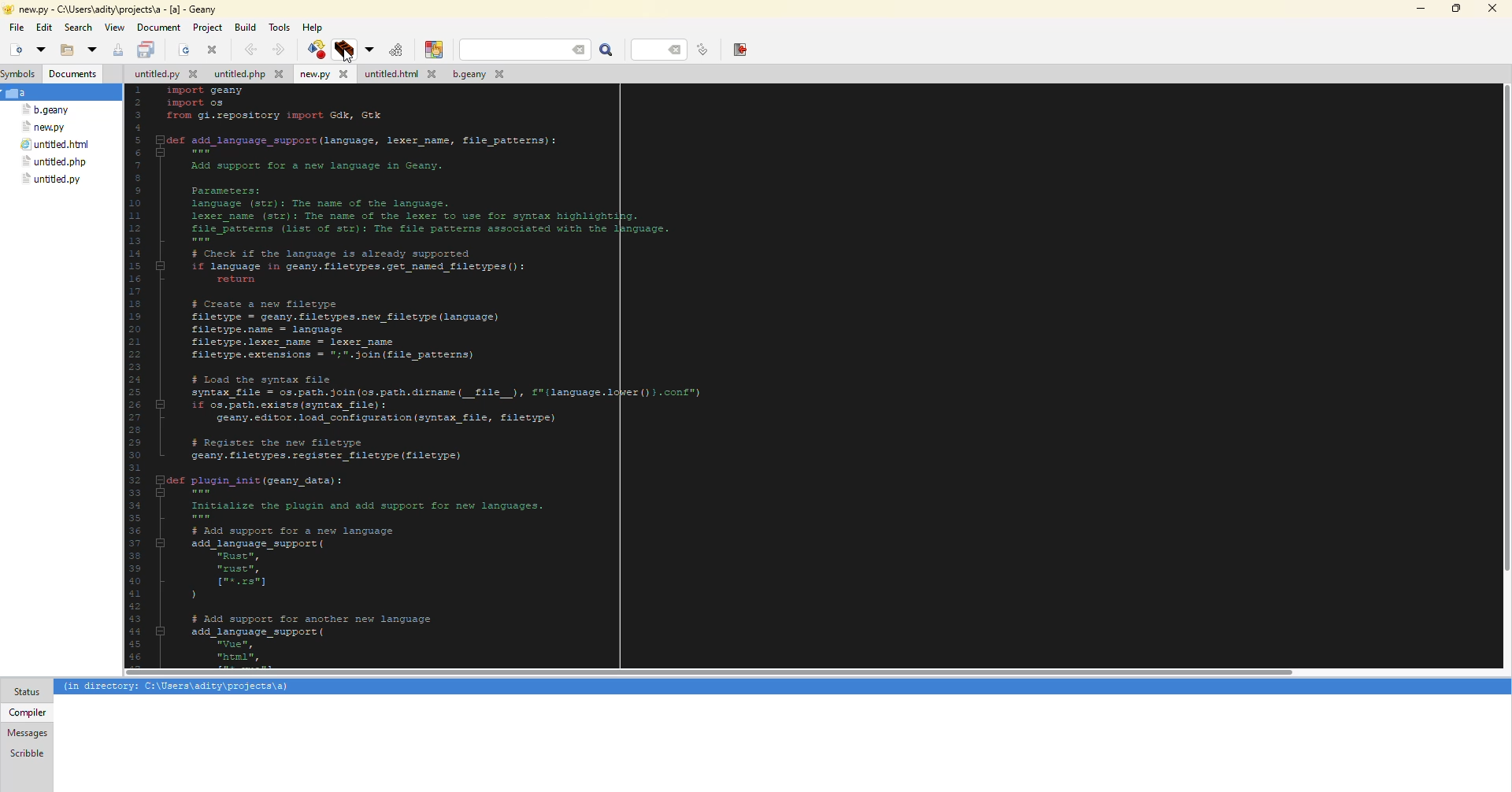 The width and height of the screenshot is (1512, 792). Describe the element at coordinates (474, 75) in the screenshot. I see `file` at that location.